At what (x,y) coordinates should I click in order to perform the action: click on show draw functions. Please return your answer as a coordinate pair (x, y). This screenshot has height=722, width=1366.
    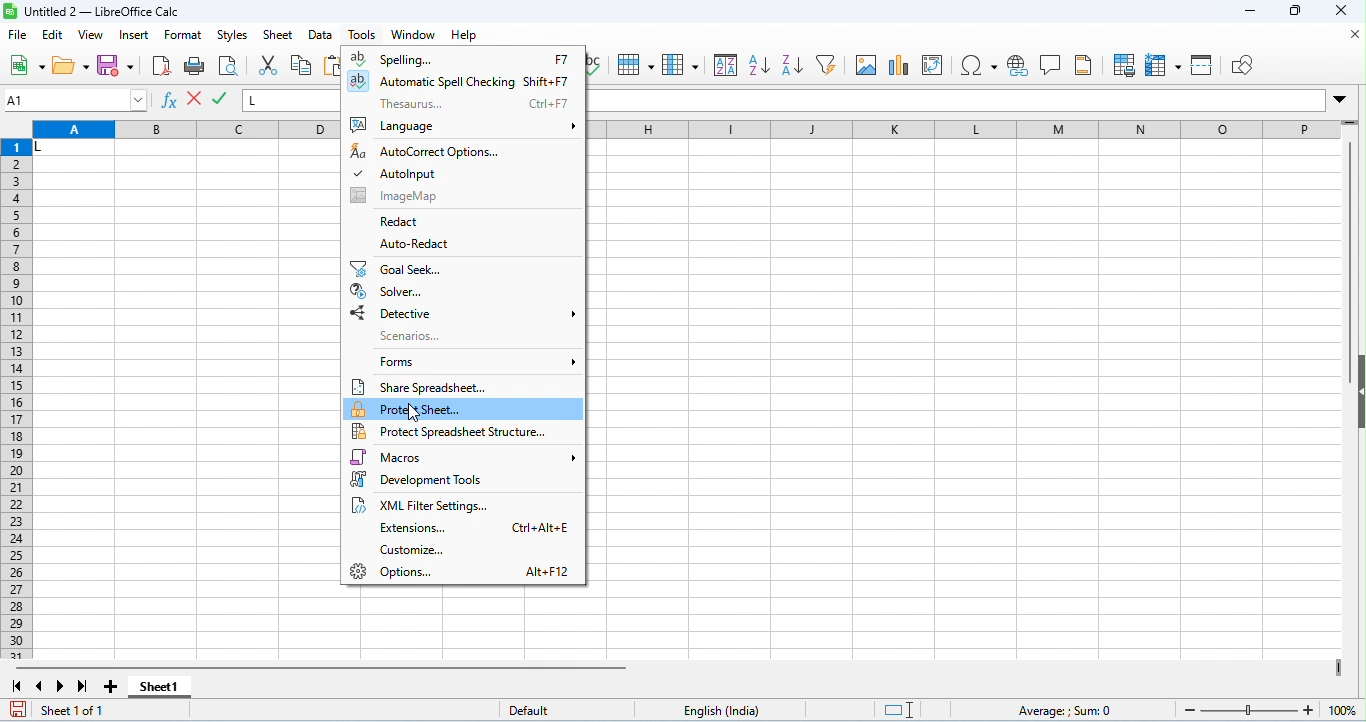
    Looking at the image, I should click on (1240, 66).